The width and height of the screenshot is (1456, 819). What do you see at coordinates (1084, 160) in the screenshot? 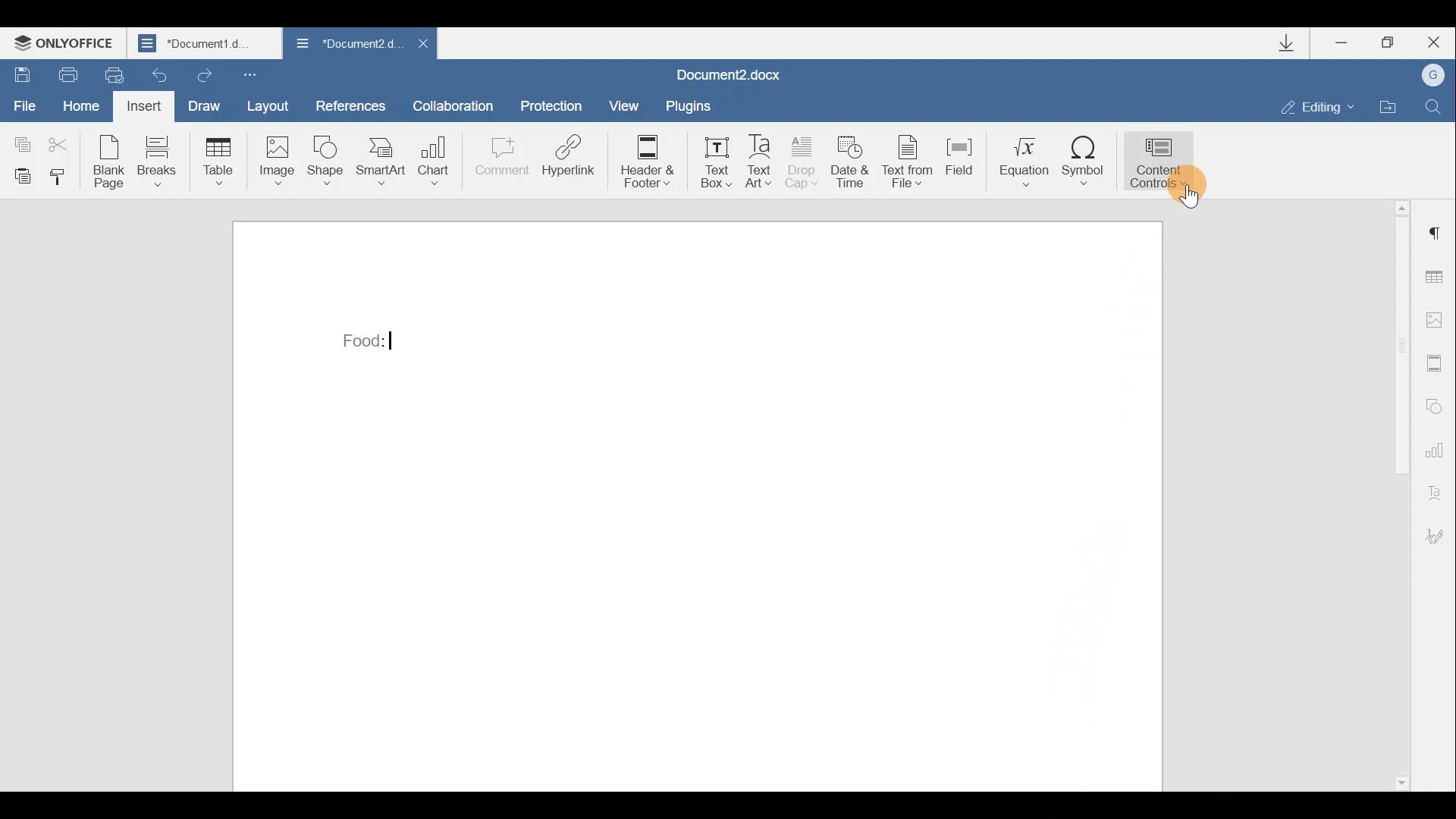
I see `Symbol` at bounding box center [1084, 160].